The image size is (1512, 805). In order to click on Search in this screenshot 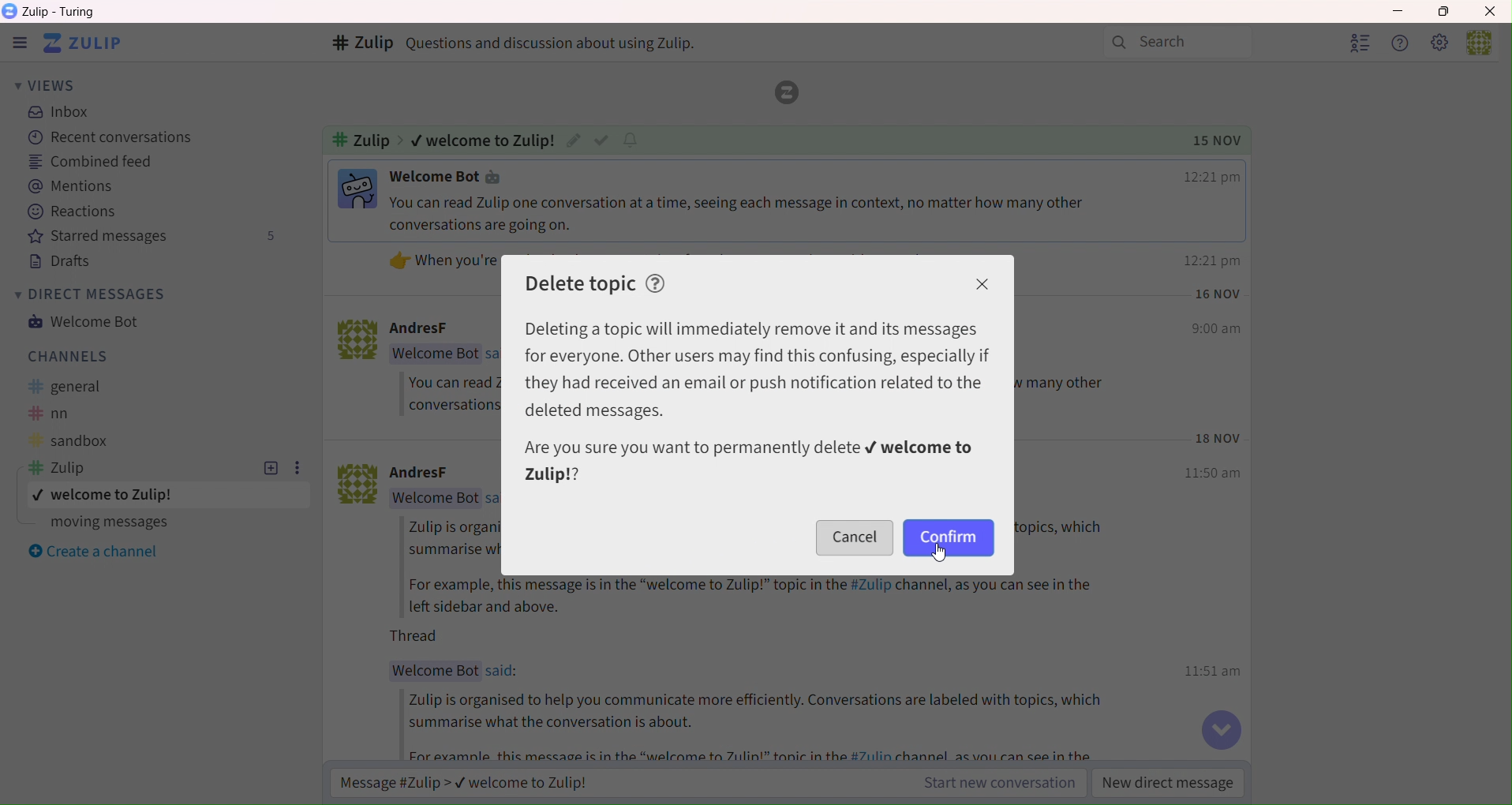, I will do `click(1177, 43)`.